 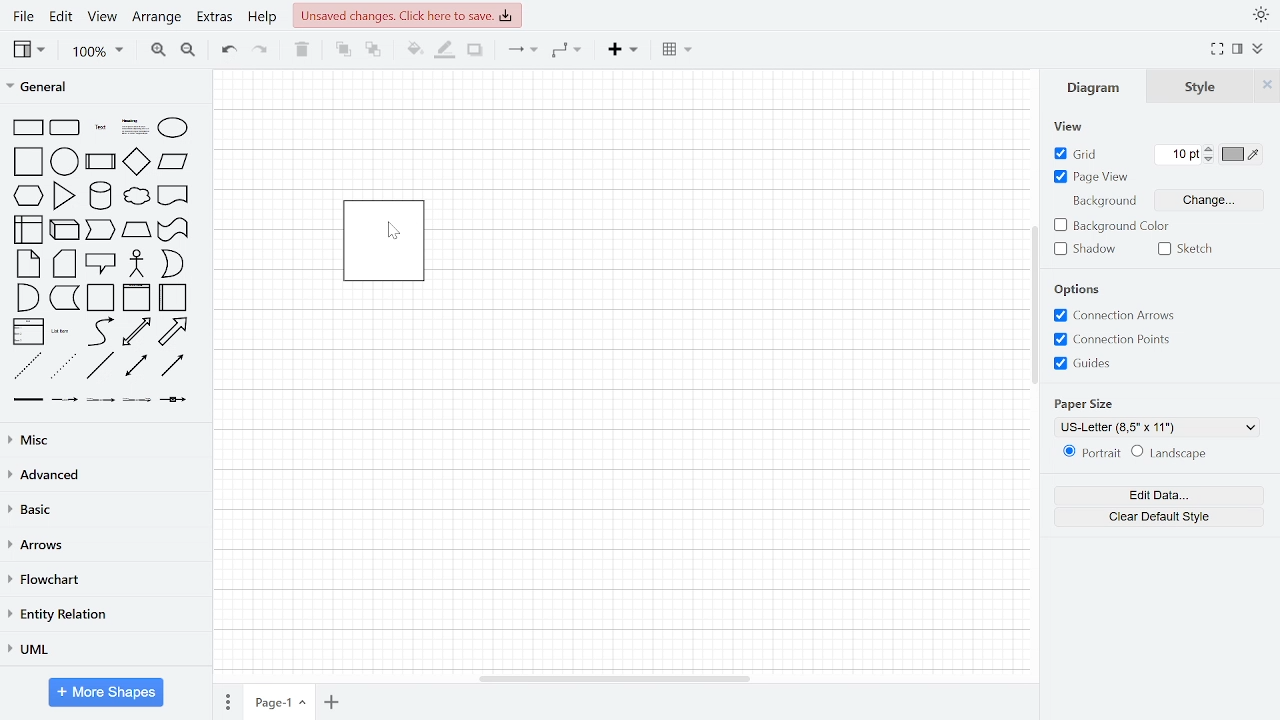 What do you see at coordinates (62, 365) in the screenshot?
I see `dotted line` at bounding box center [62, 365].